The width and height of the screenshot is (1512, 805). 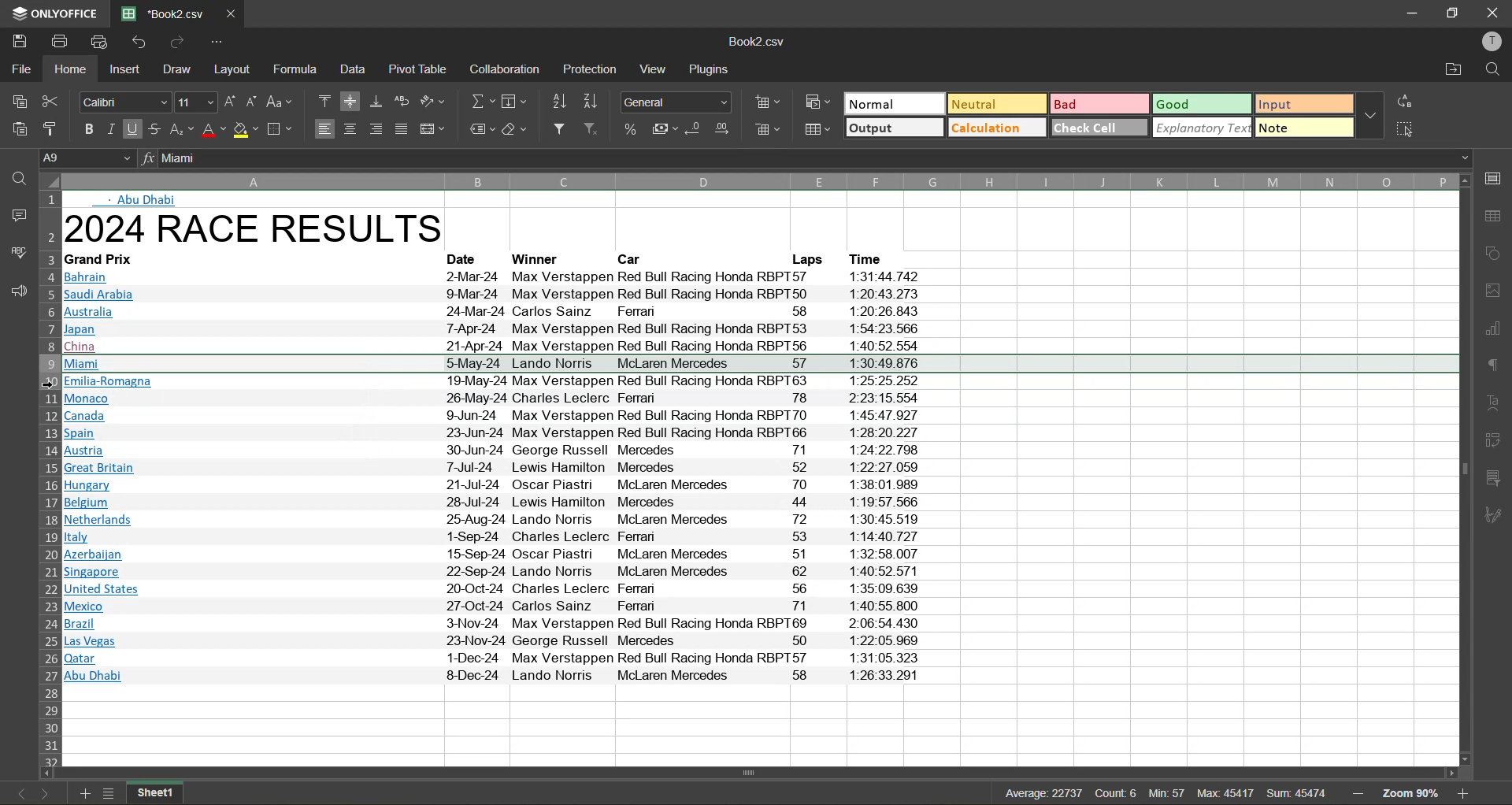 What do you see at coordinates (495, 570) in the screenshot?
I see `Singapore 22-Sep-24 Lando Norris McLaren Mercedes 62 1:40:52 571` at bounding box center [495, 570].